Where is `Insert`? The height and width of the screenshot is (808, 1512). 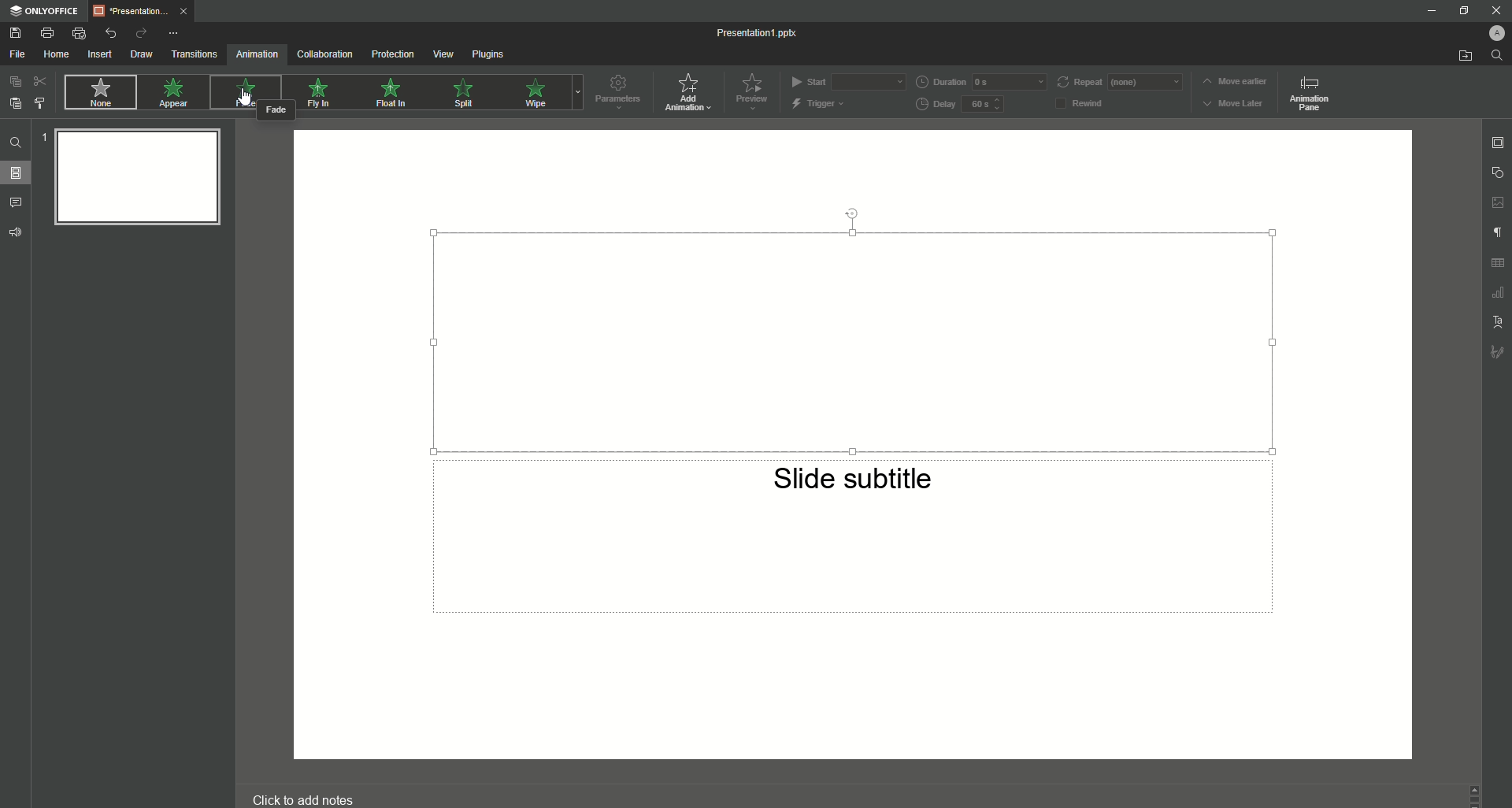
Insert is located at coordinates (96, 54).